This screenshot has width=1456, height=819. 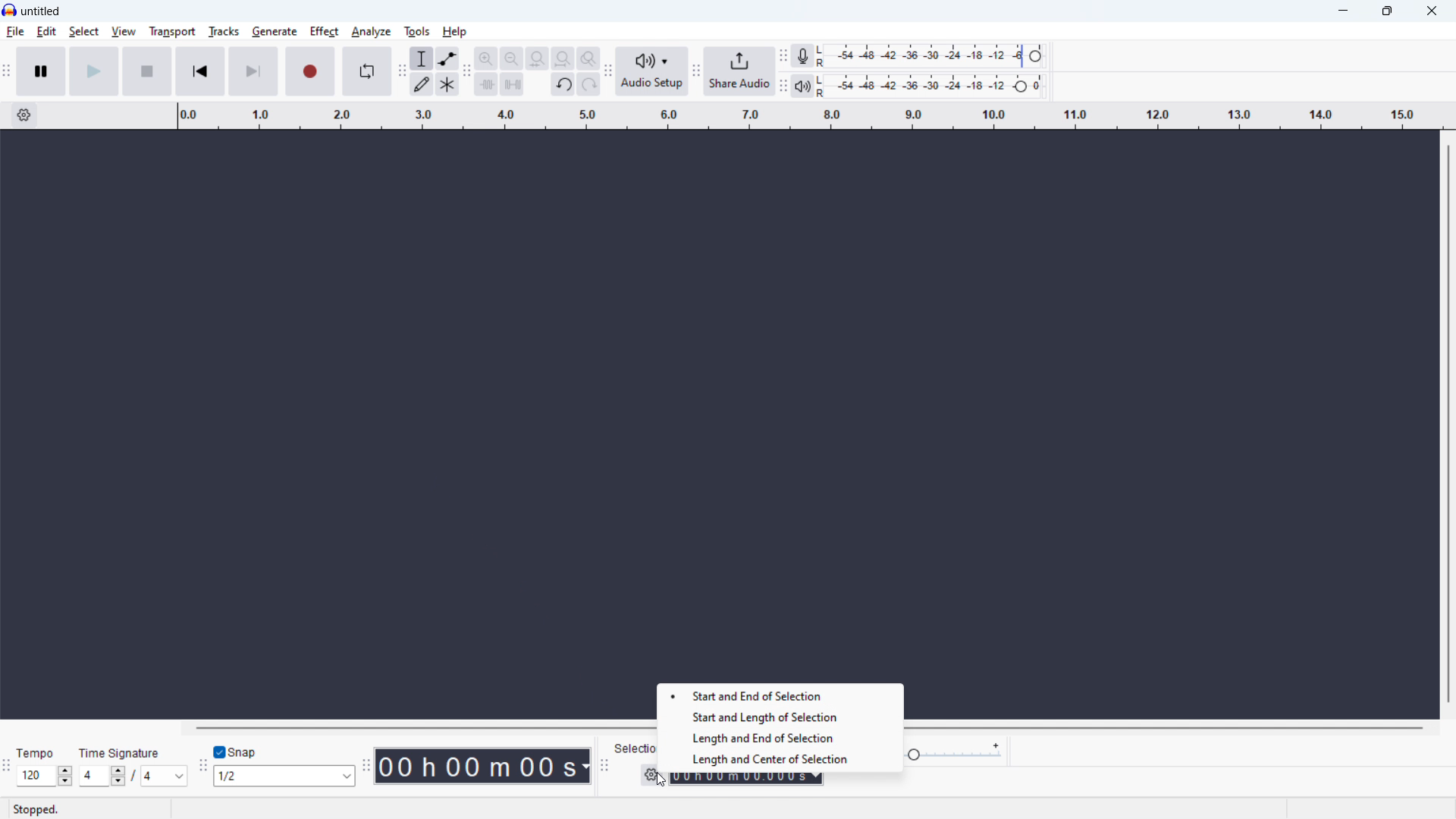 What do you see at coordinates (134, 777) in the screenshot?
I see `set time signature` at bounding box center [134, 777].